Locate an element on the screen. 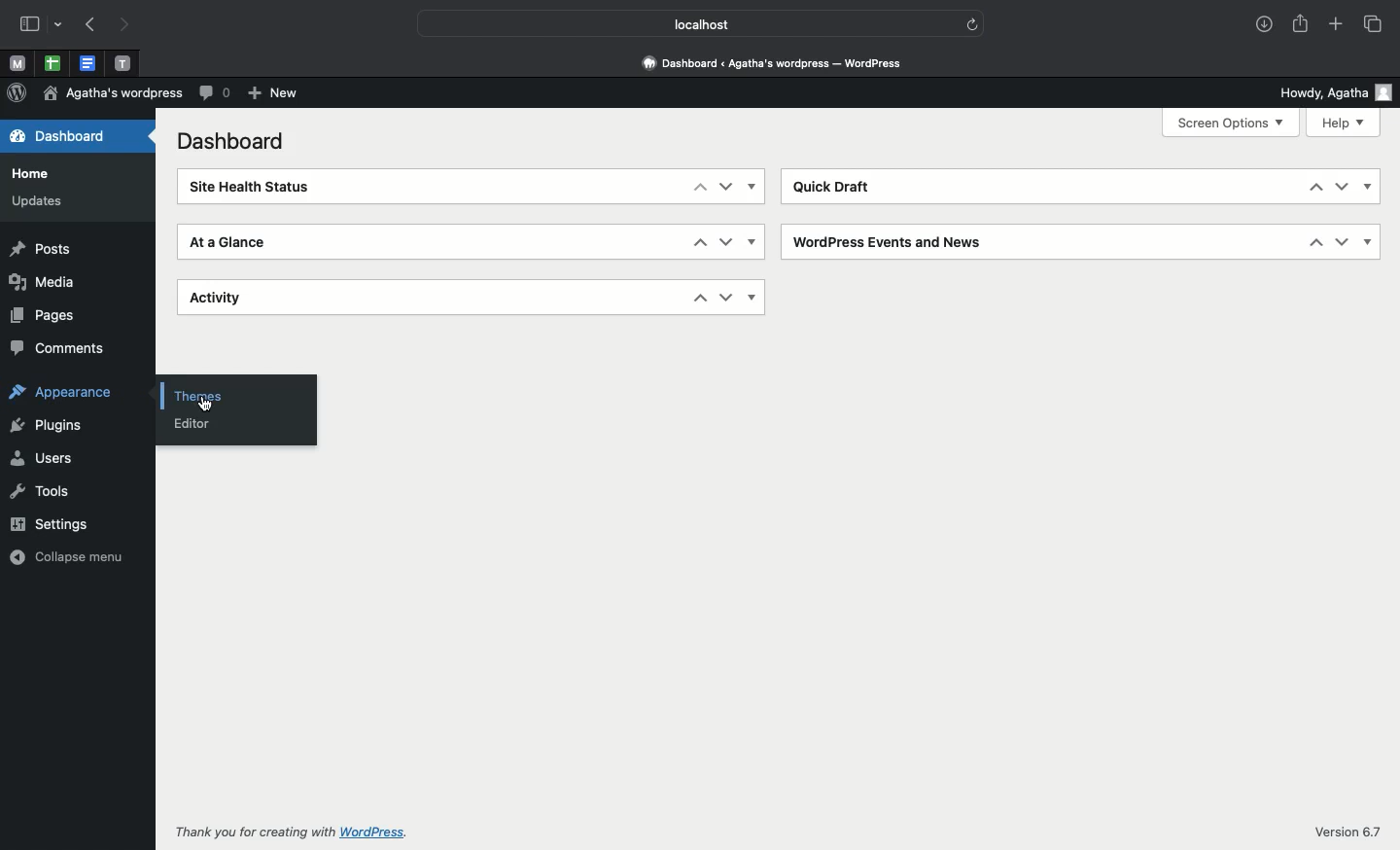 This screenshot has height=850, width=1400. Editor is located at coordinates (196, 425).